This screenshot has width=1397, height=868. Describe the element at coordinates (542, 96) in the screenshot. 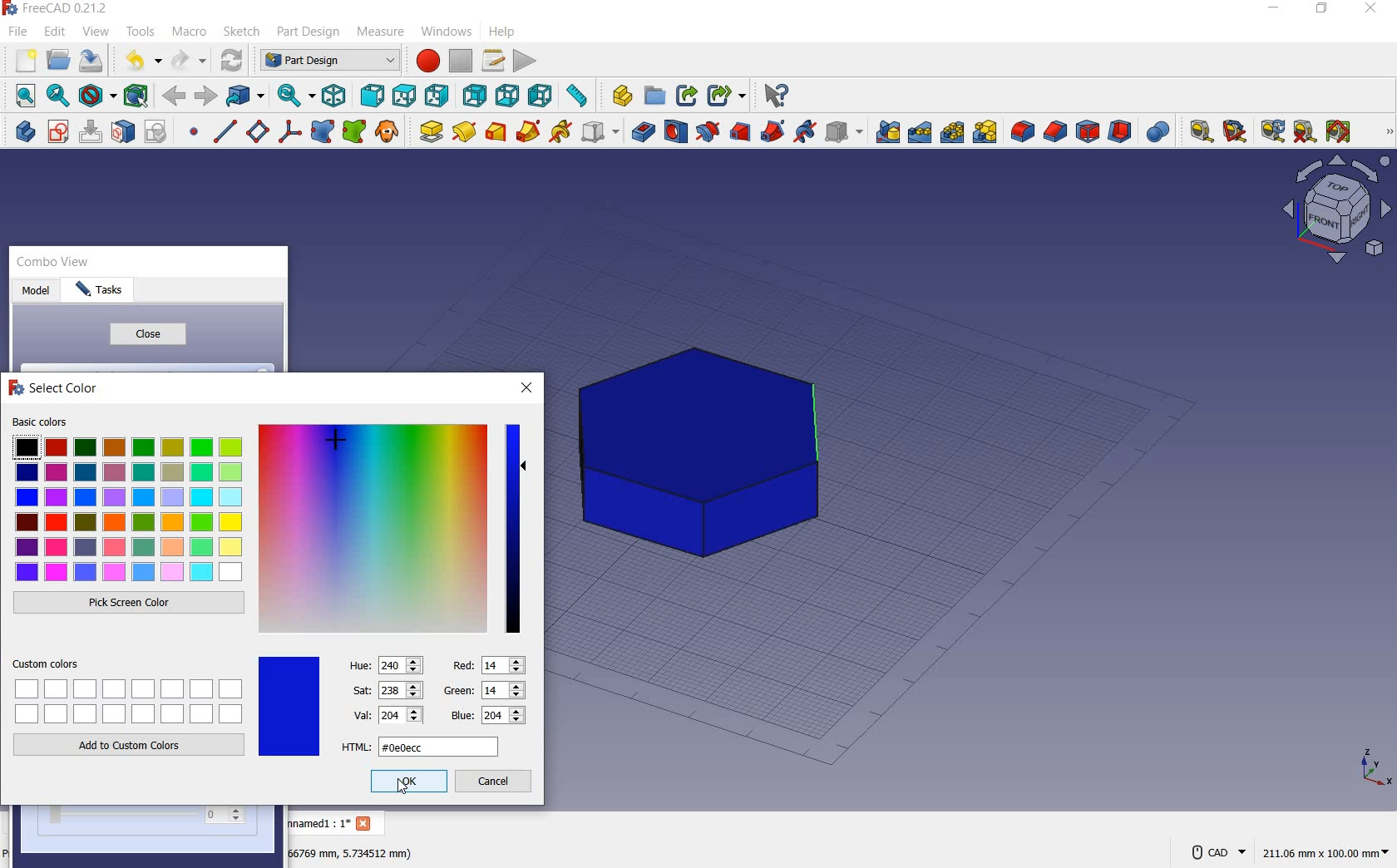

I see `left` at that location.